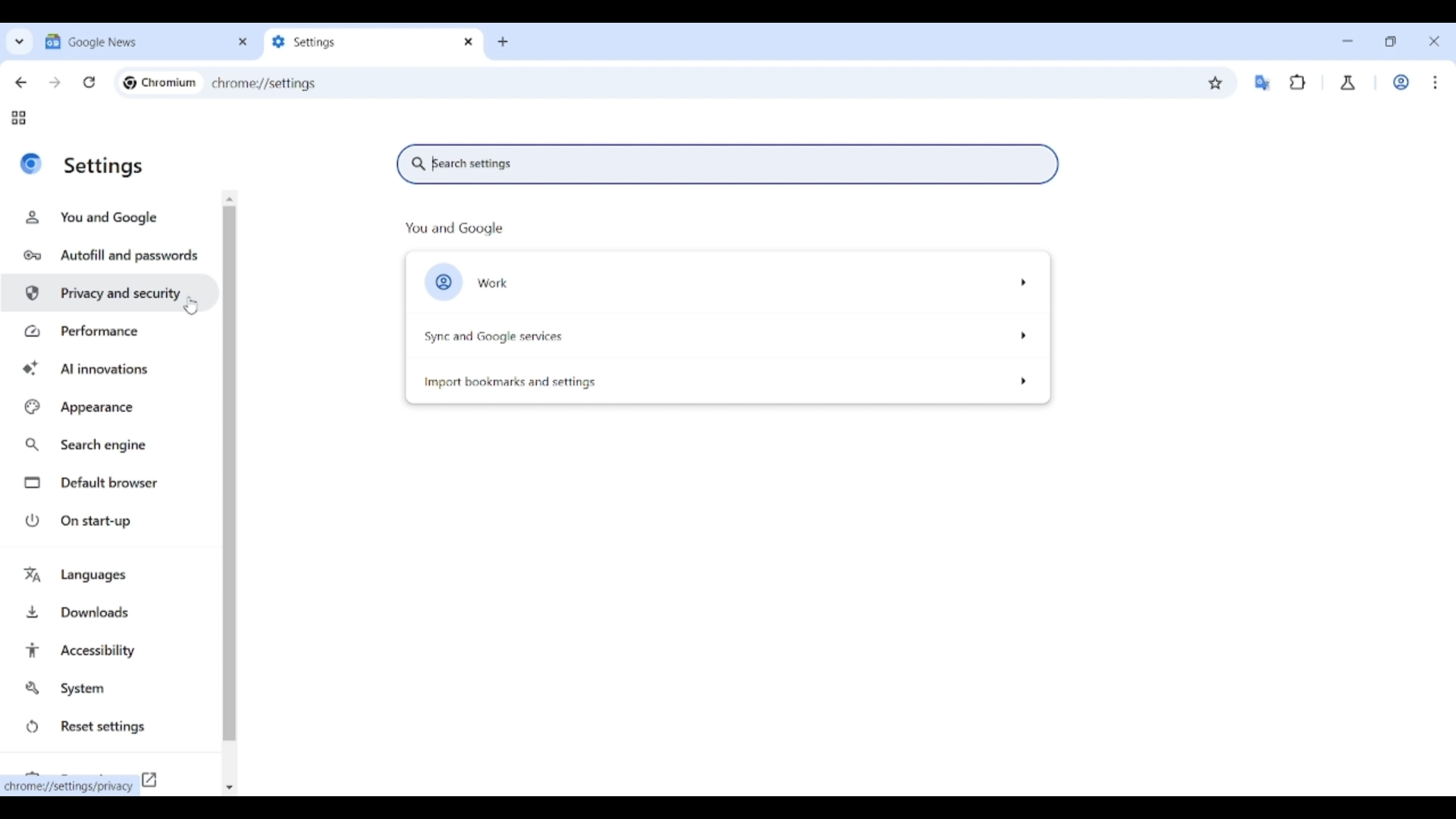  I want to click on Close interface, so click(1434, 41).